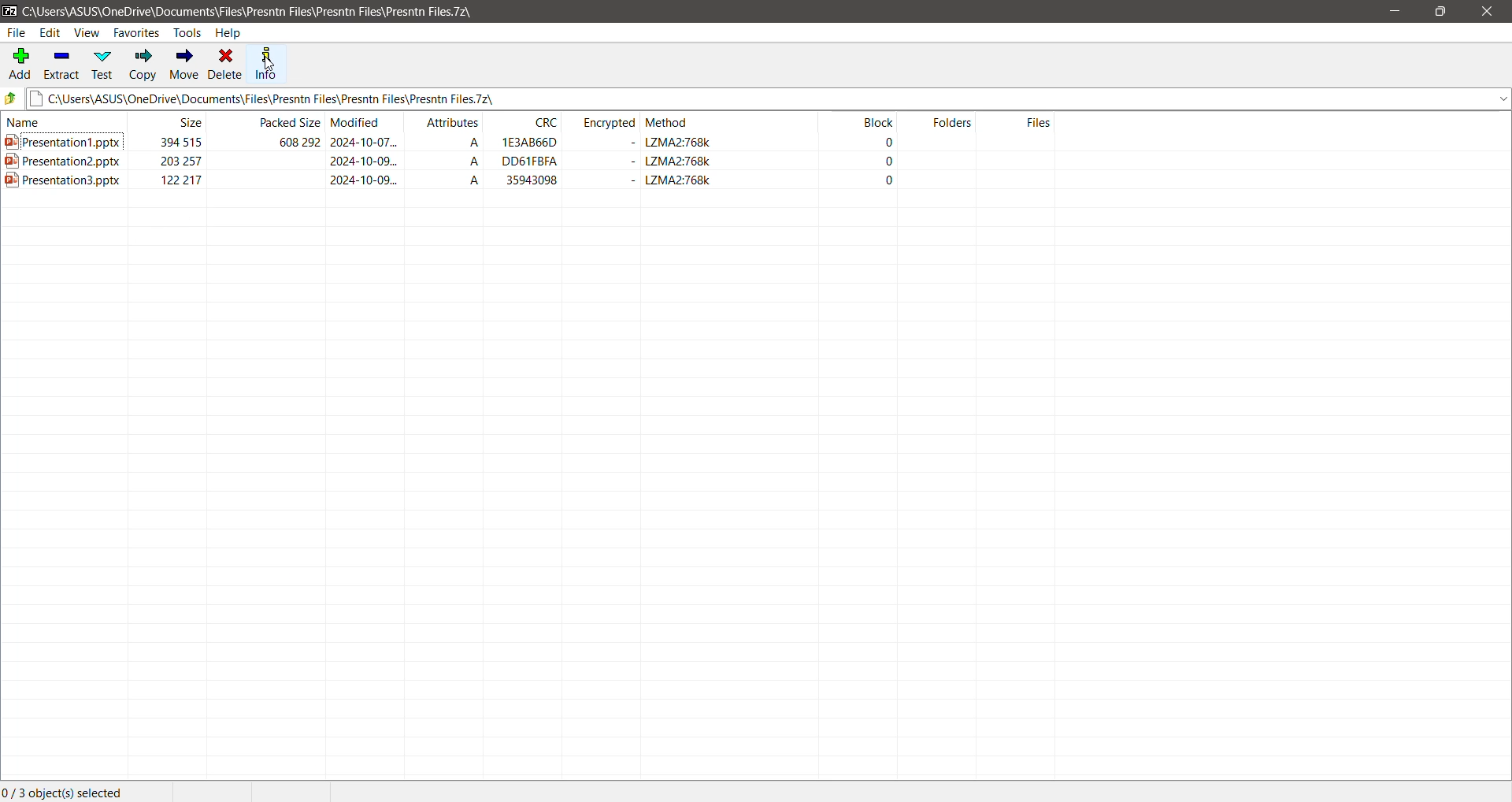 This screenshot has height=802, width=1512. Describe the element at coordinates (52, 32) in the screenshot. I see `Edit` at that location.